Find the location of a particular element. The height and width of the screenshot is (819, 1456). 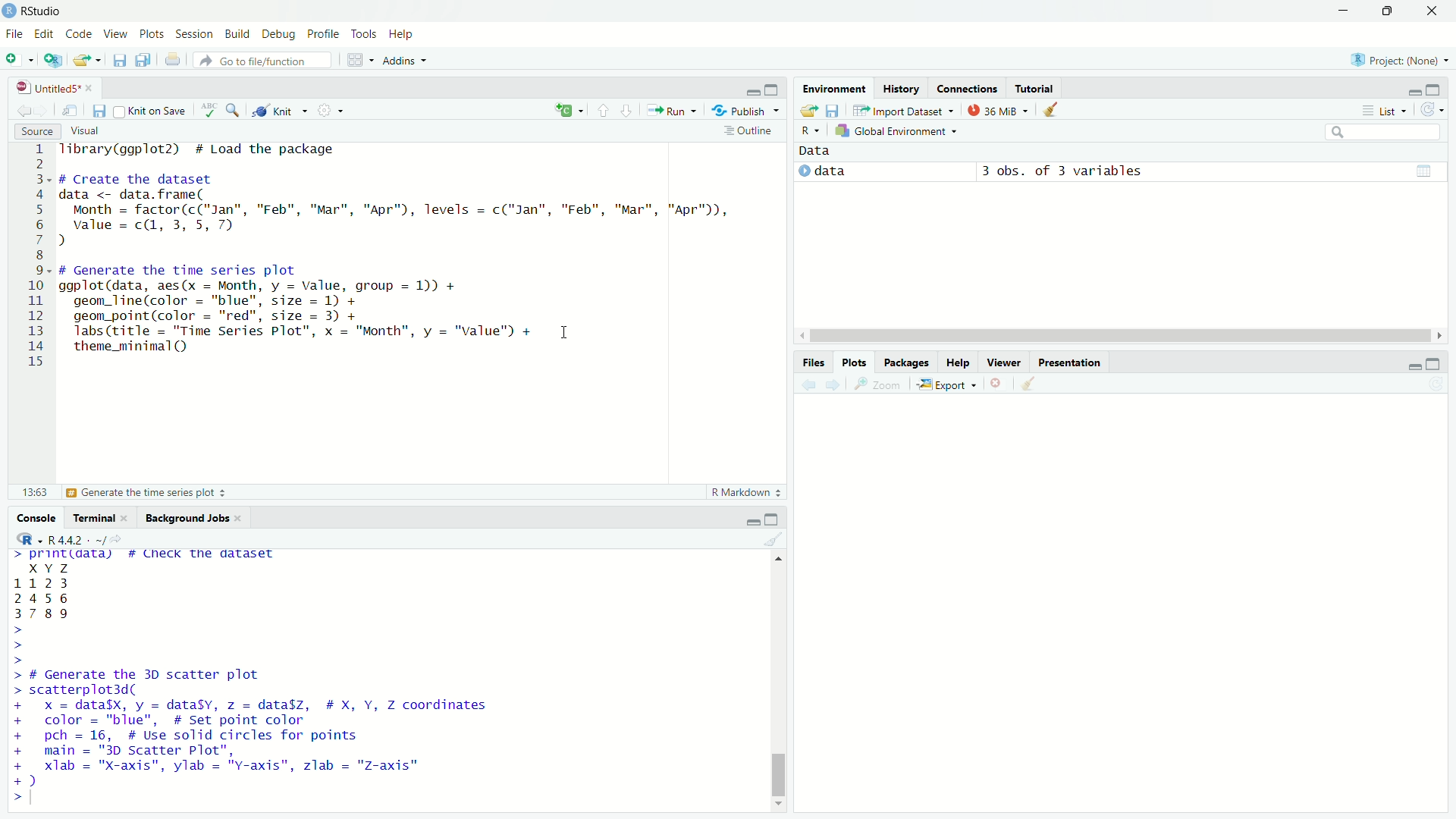

go forward to next source location is located at coordinates (42, 110).